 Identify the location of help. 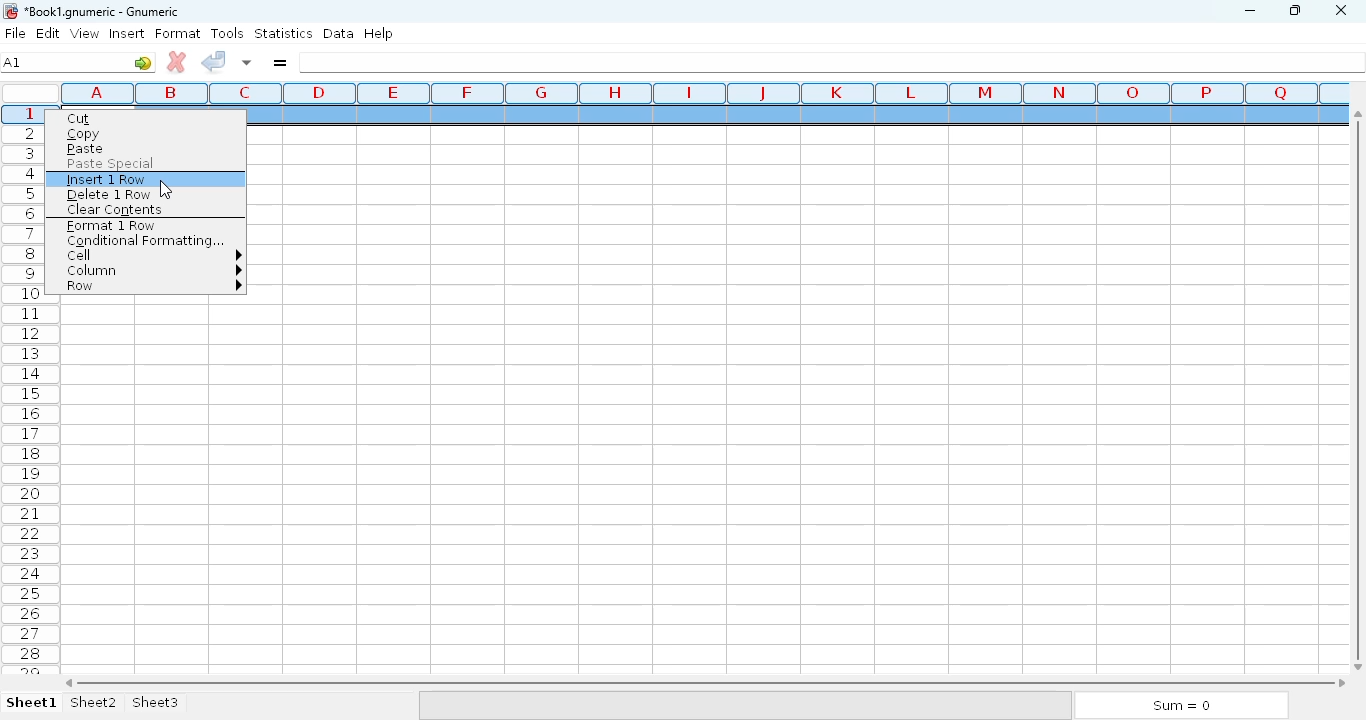
(378, 34).